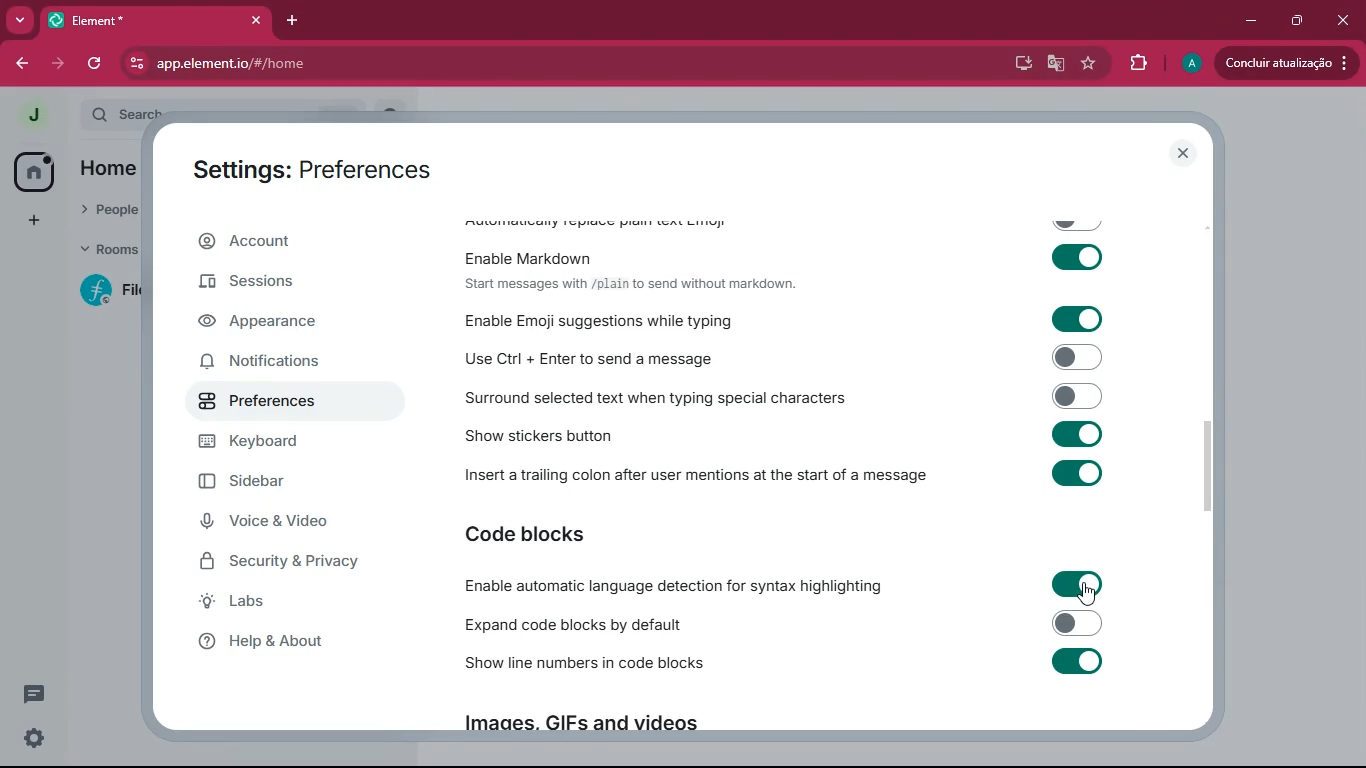 This screenshot has width=1366, height=768. What do you see at coordinates (277, 604) in the screenshot?
I see `labs` at bounding box center [277, 604].